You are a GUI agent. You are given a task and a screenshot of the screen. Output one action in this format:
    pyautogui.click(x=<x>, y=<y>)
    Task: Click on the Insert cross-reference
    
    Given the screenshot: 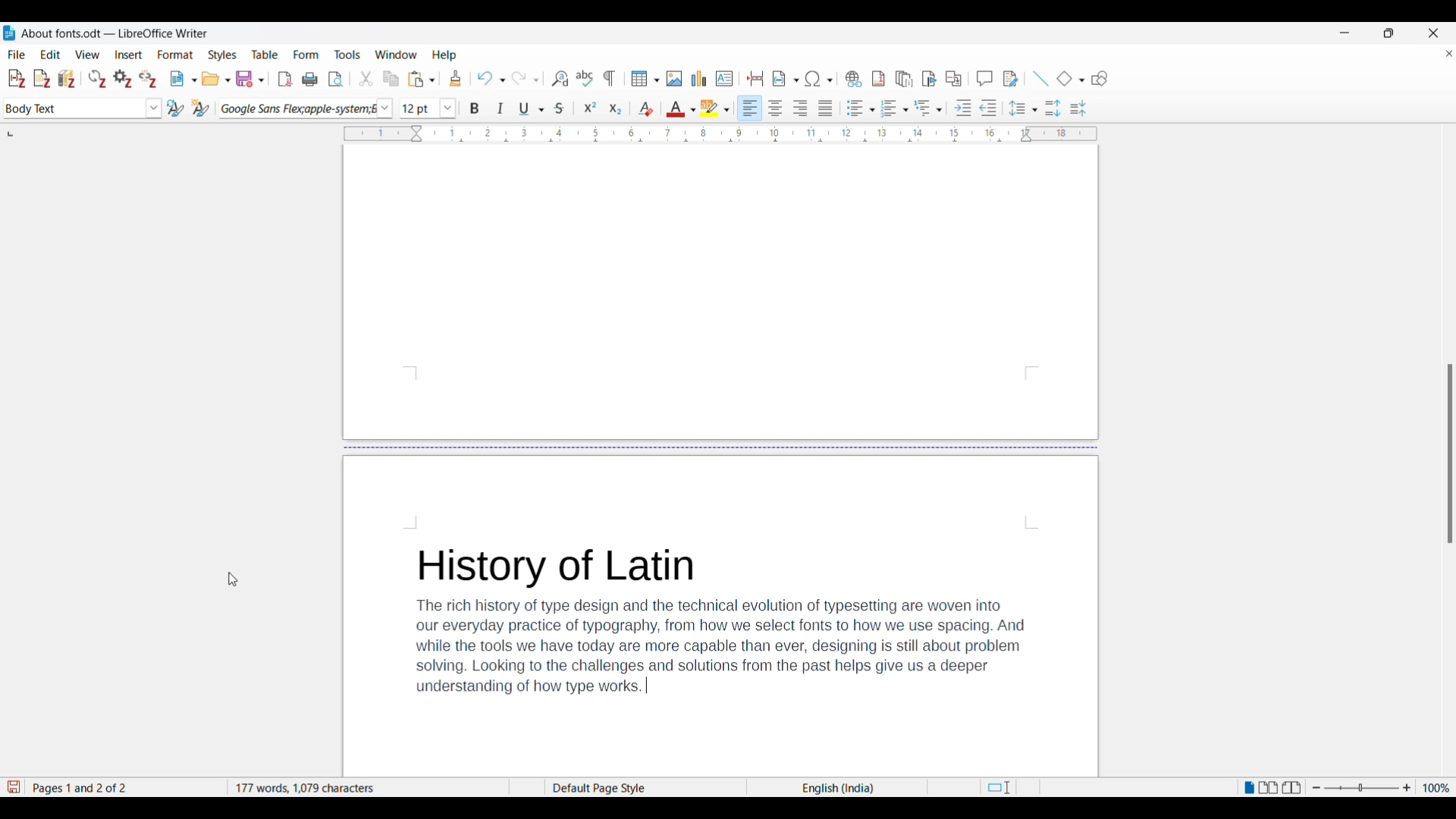 What is the action you would take?
    pyautogui.click(x=953, y=79)
    